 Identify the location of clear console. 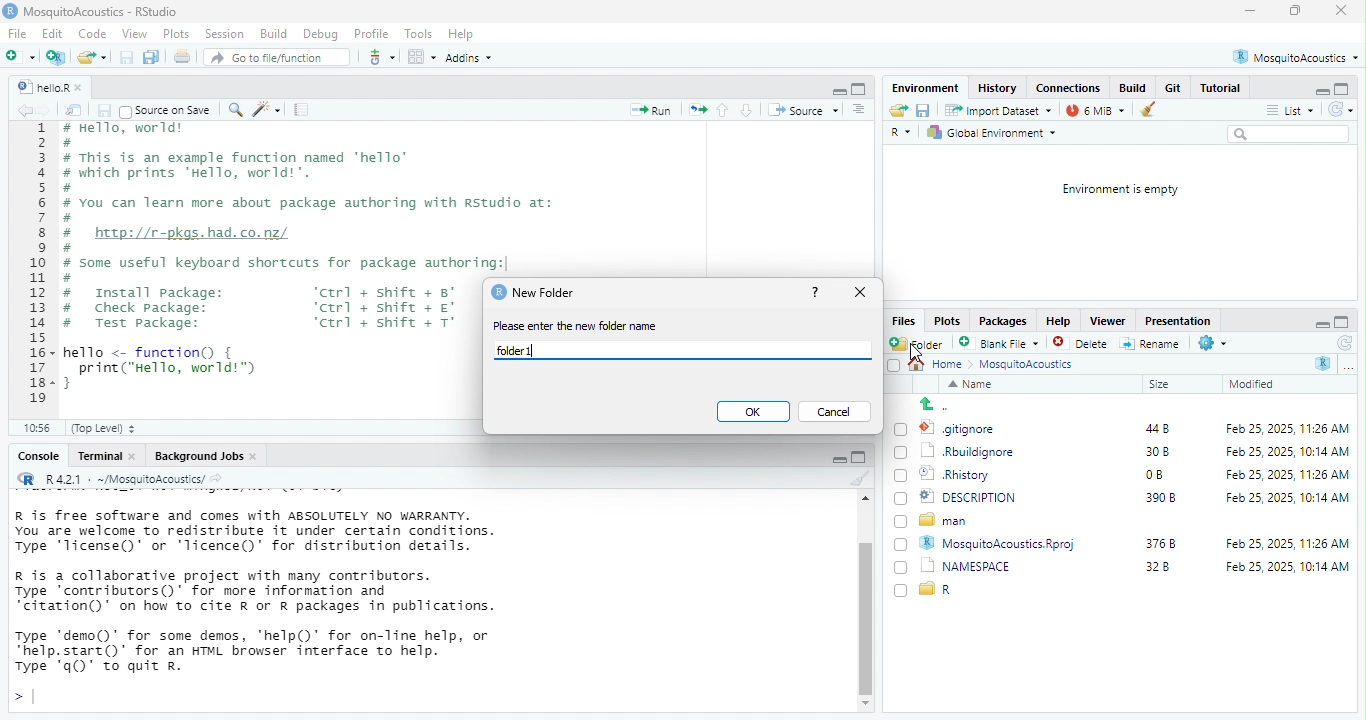
(860, 480).